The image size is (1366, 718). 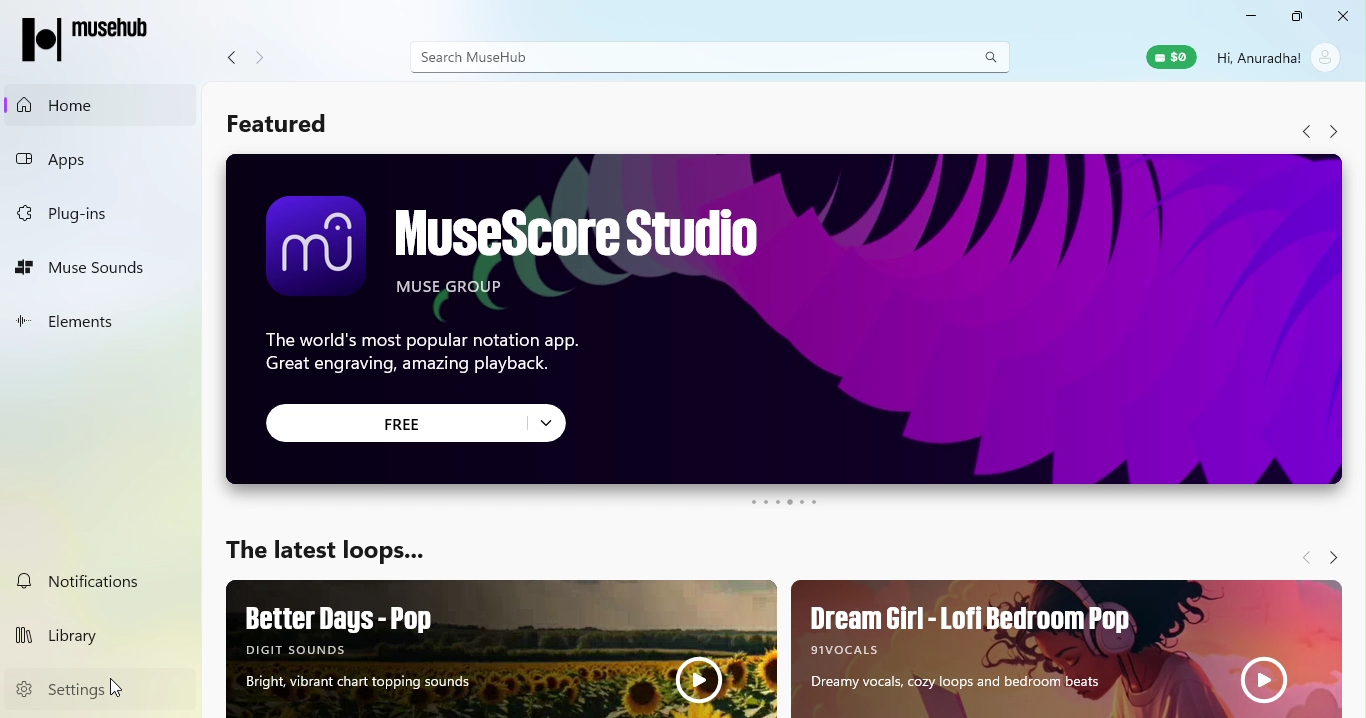 What do you see at coordinates (287, 124) in the screenshot?
I see `Featured` at bounding box center [287, 124].